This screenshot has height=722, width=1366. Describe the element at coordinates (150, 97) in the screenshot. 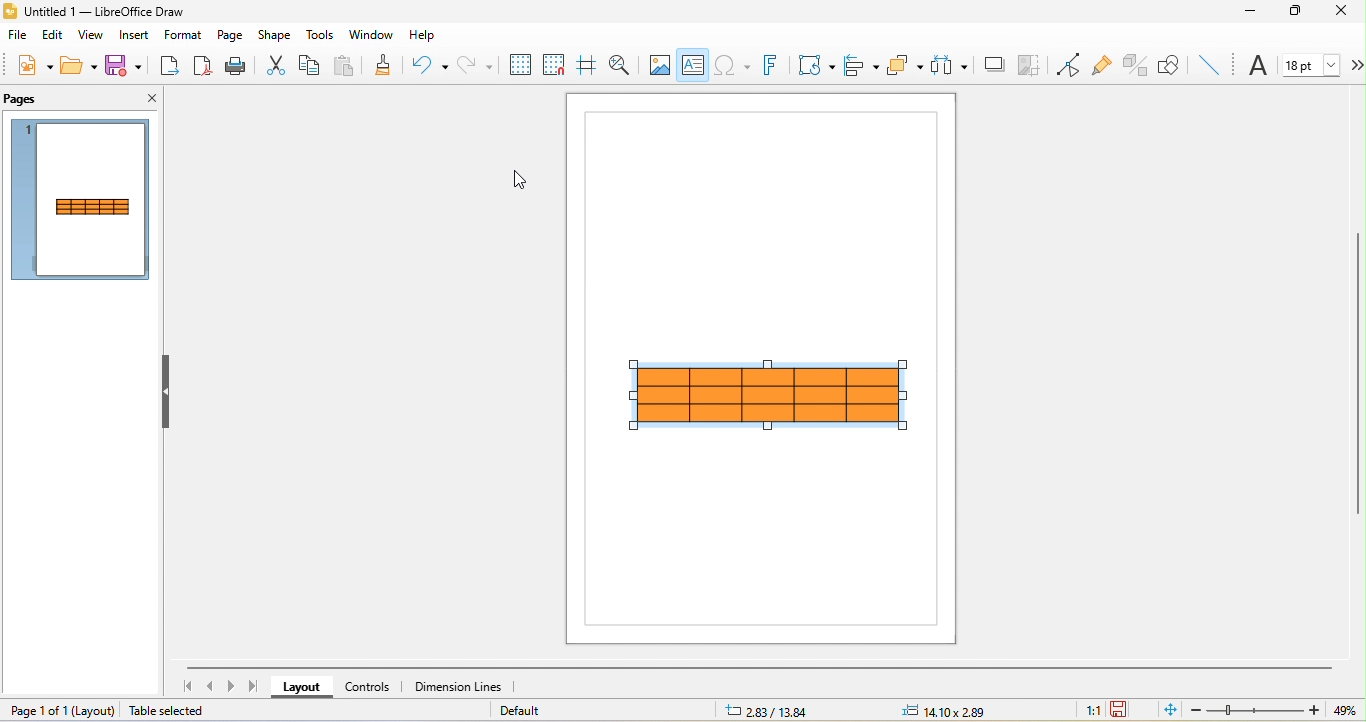

I see `close` at that location.